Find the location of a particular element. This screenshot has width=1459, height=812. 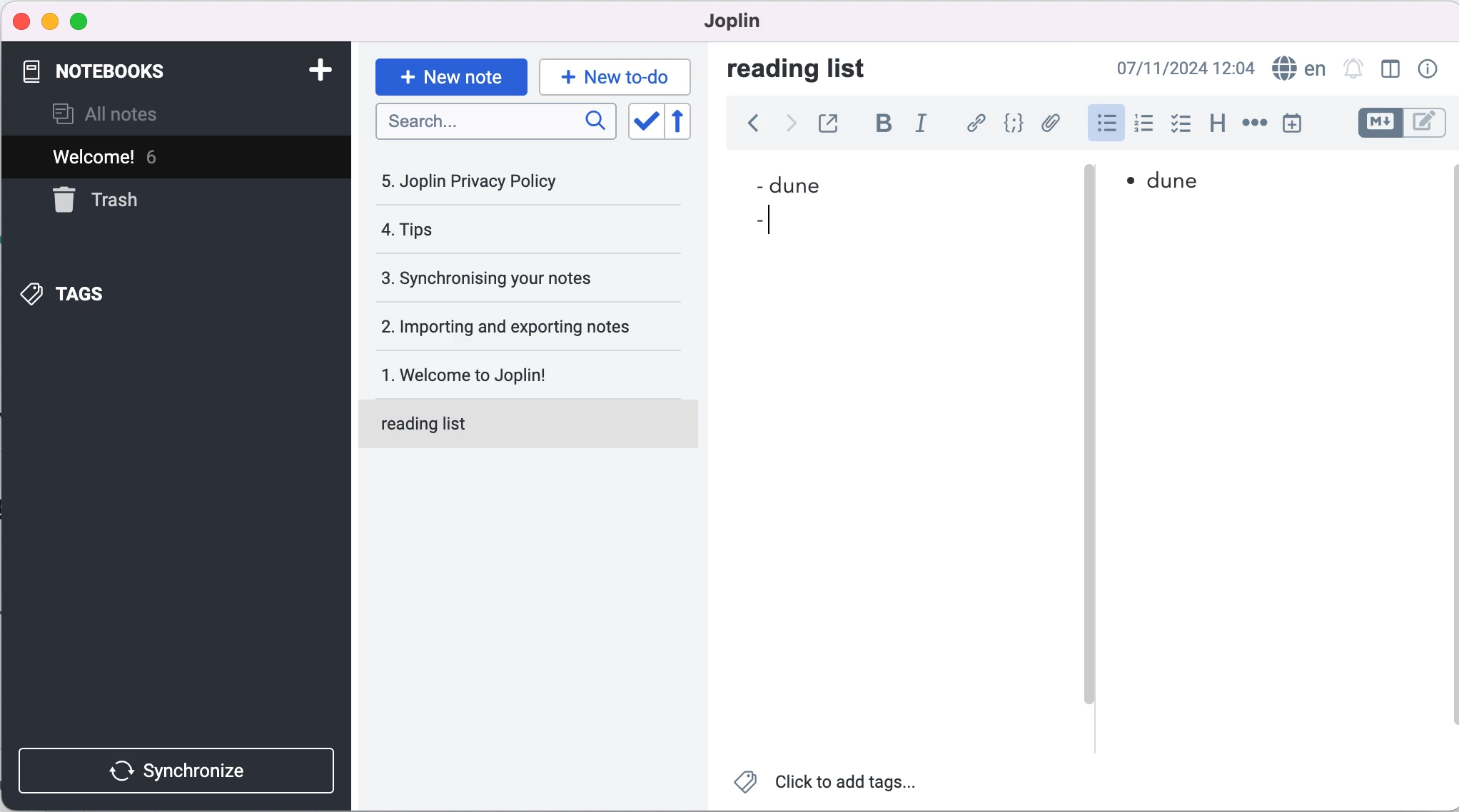

click to add tags is located at coordinates (829, 787).